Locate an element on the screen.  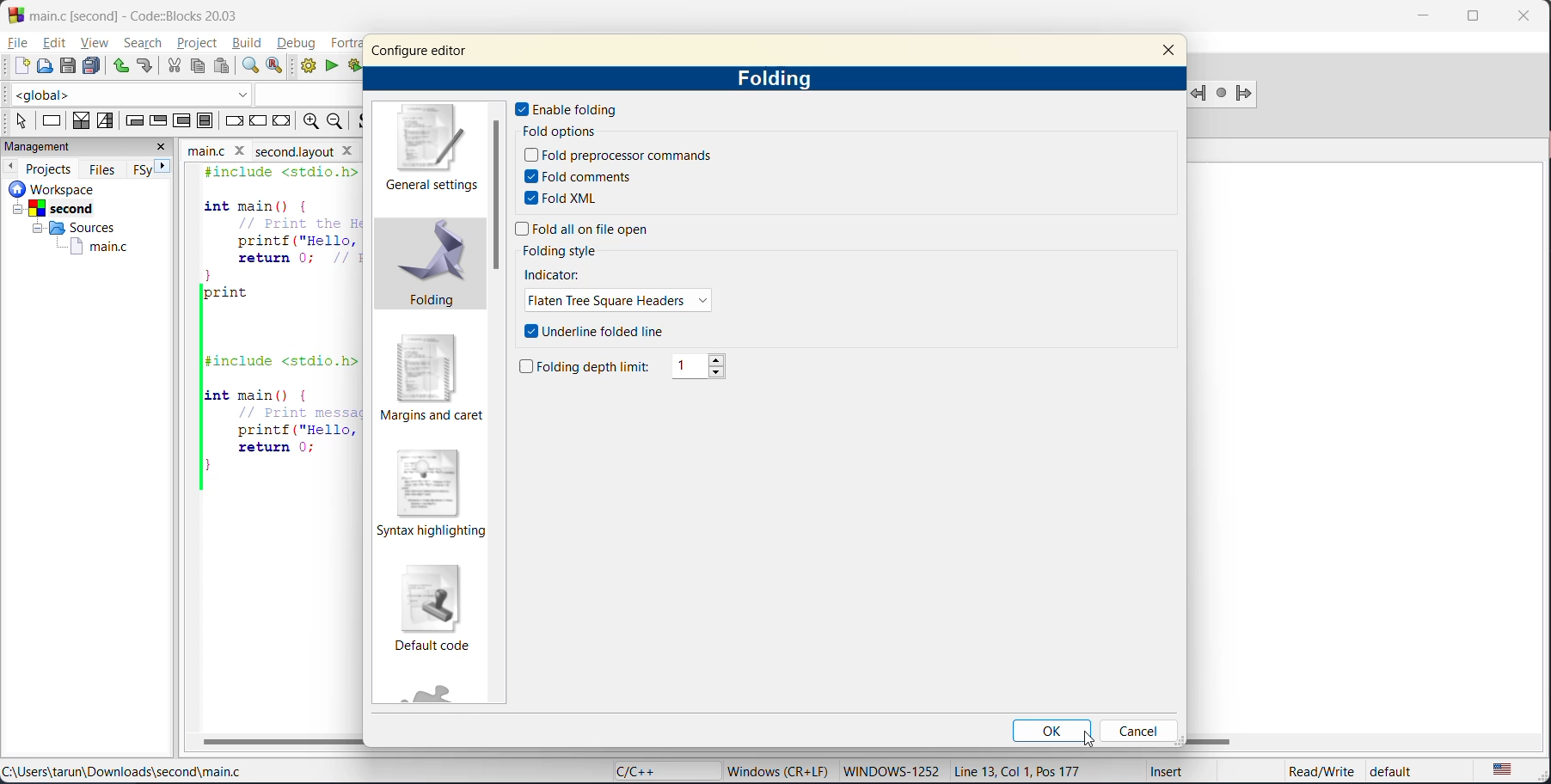
folding is located at coordinates (782, 79).